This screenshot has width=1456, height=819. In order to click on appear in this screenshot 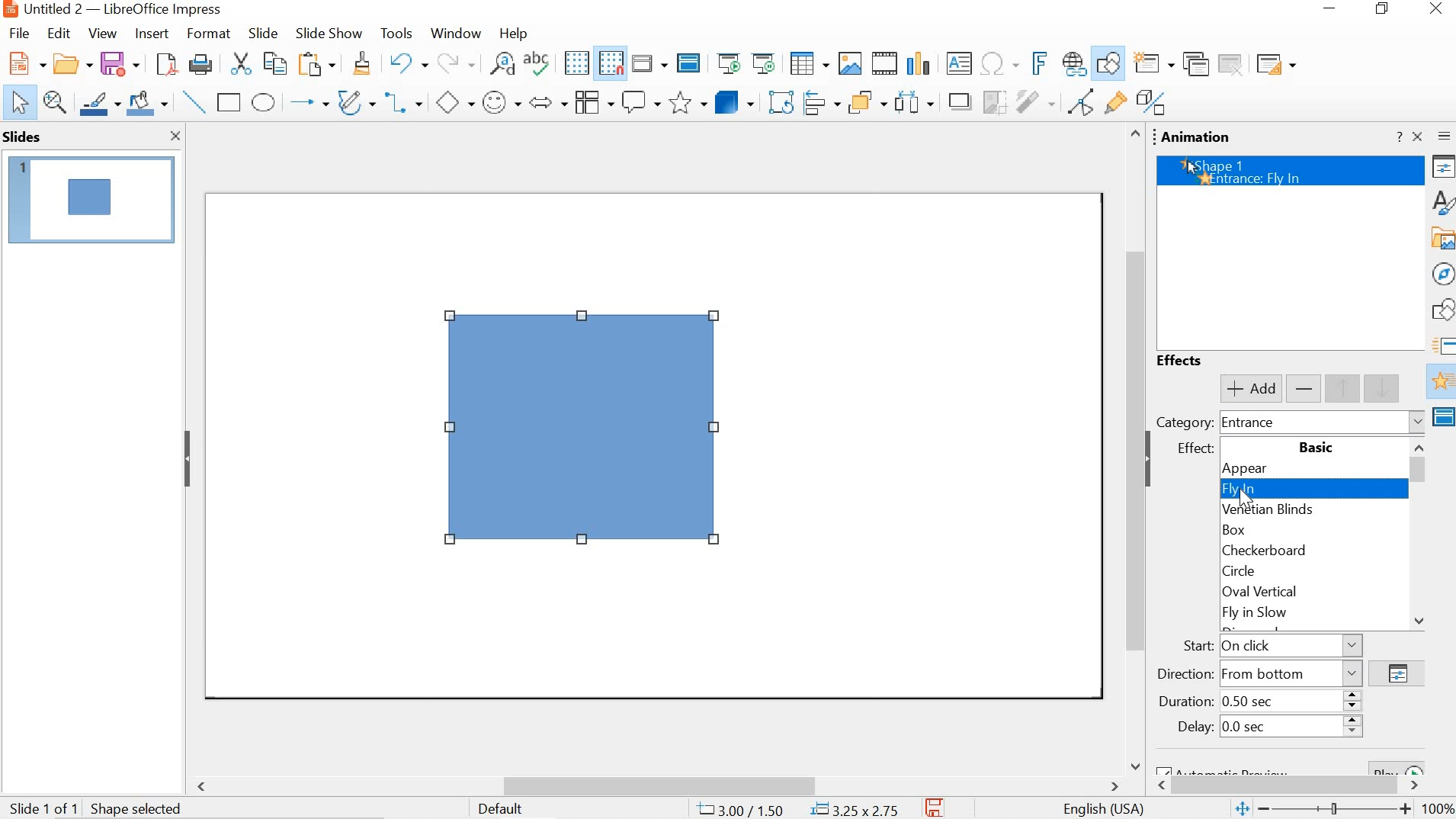, I will do `click(1312, 470)`.